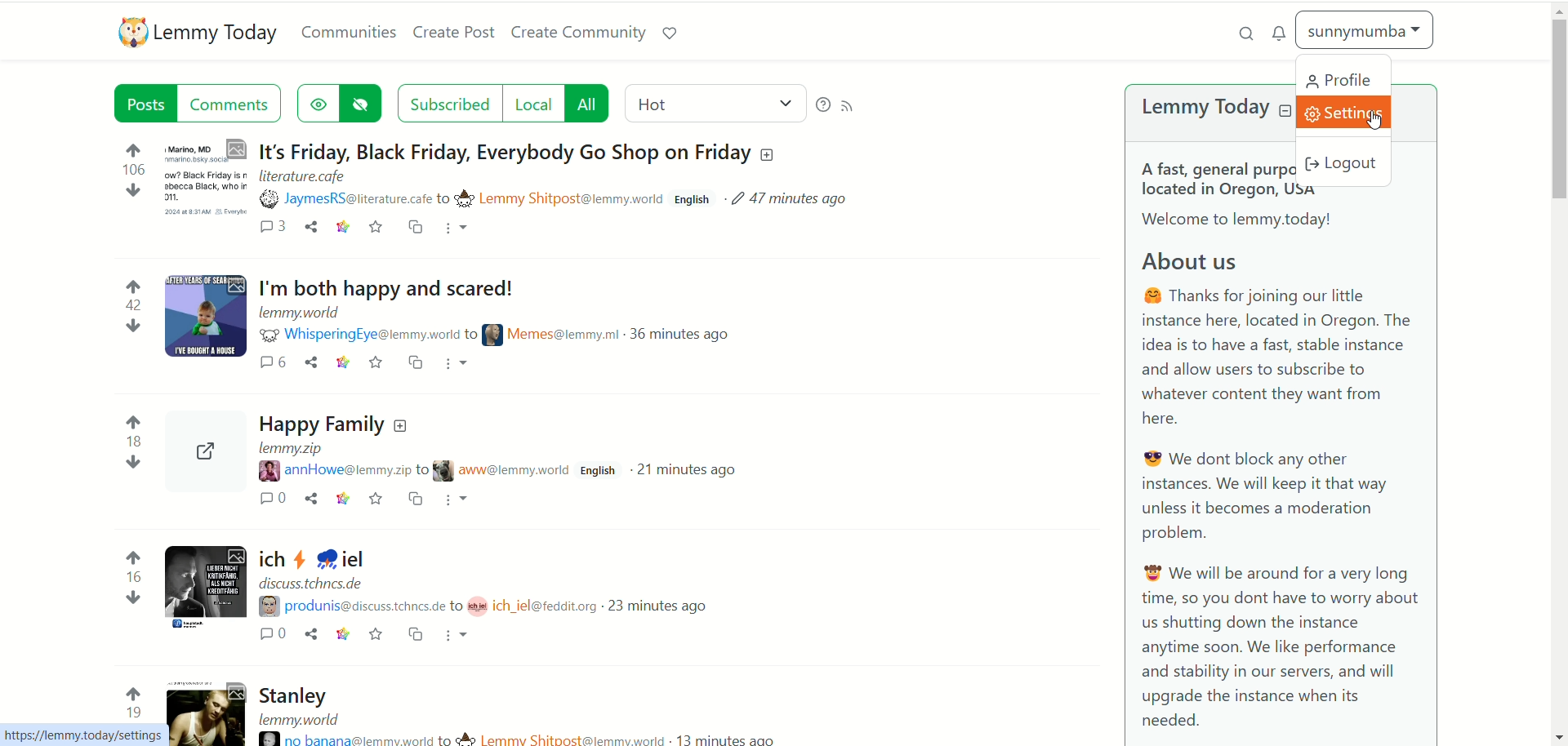 The width and height of the screenshot is (1568, 746). I want to click on collapse, so click(1285, 112).